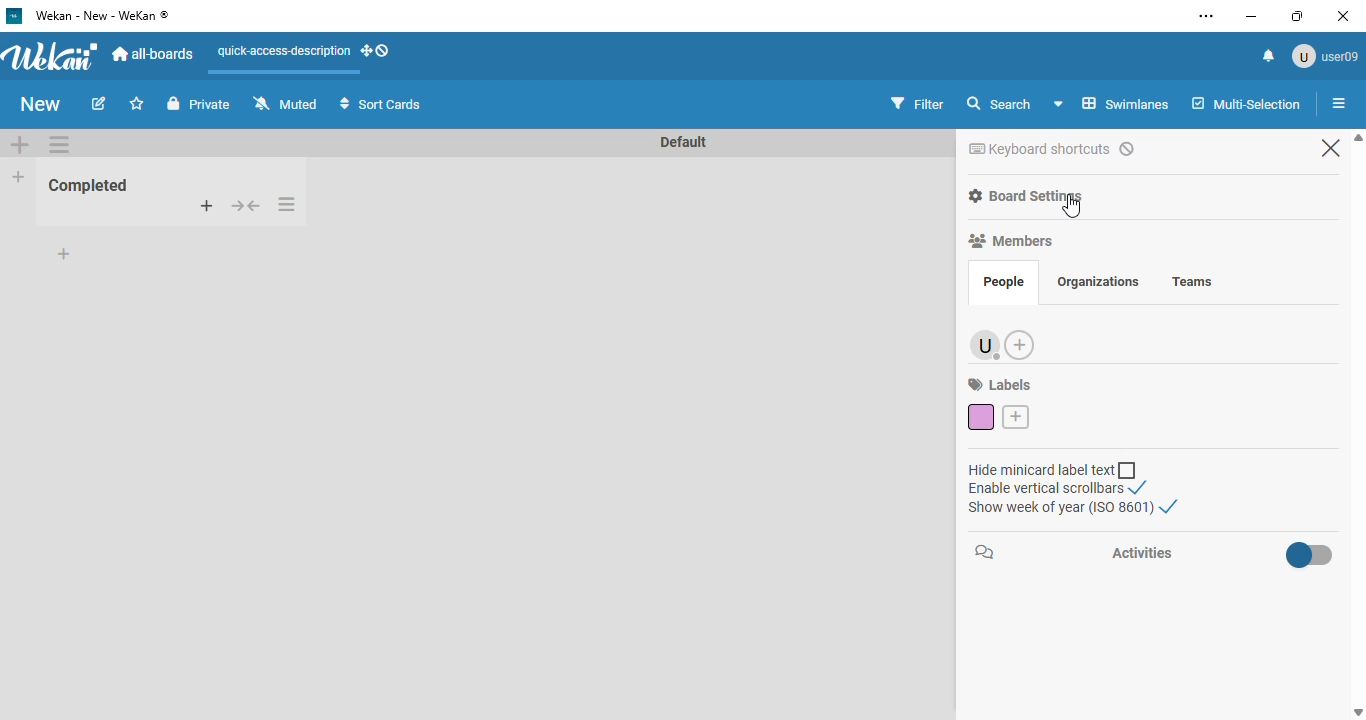 This screenshot has height=720, width=1366. I want to click on new, so click(42, 104).